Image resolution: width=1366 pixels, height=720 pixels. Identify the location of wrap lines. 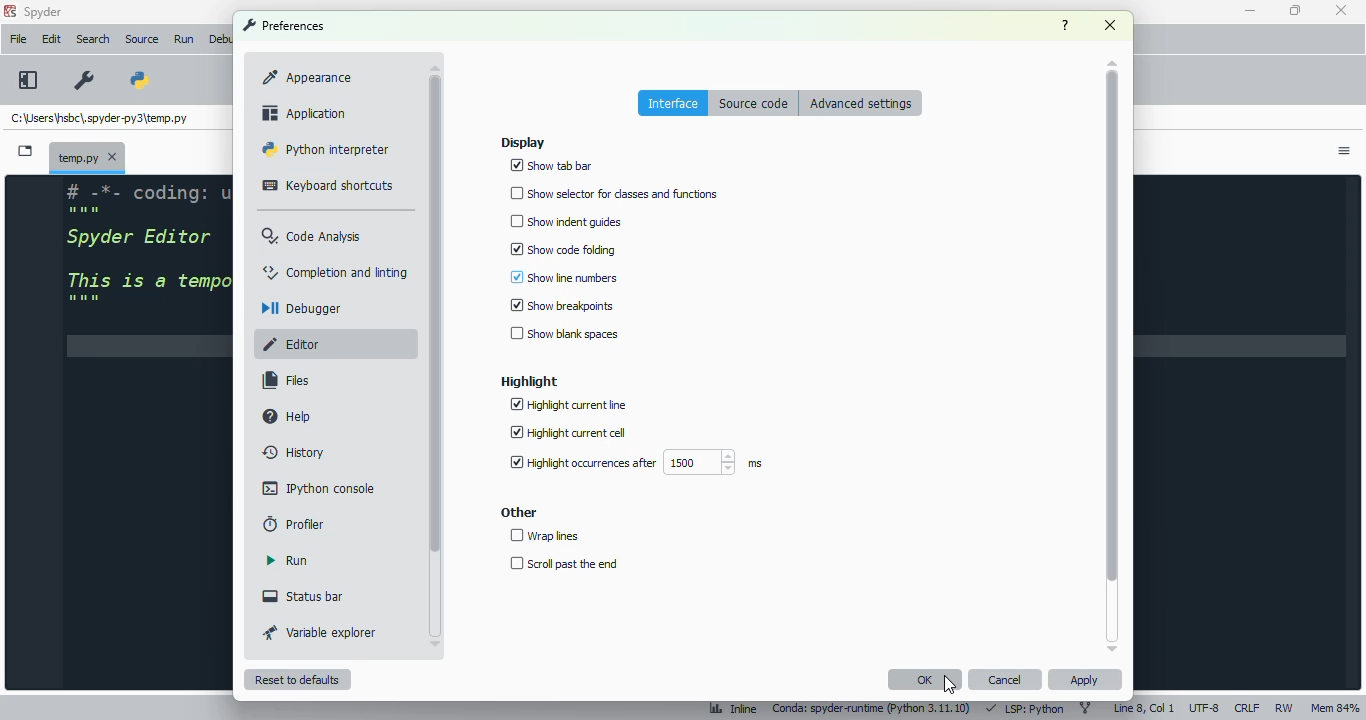
(544, 535).